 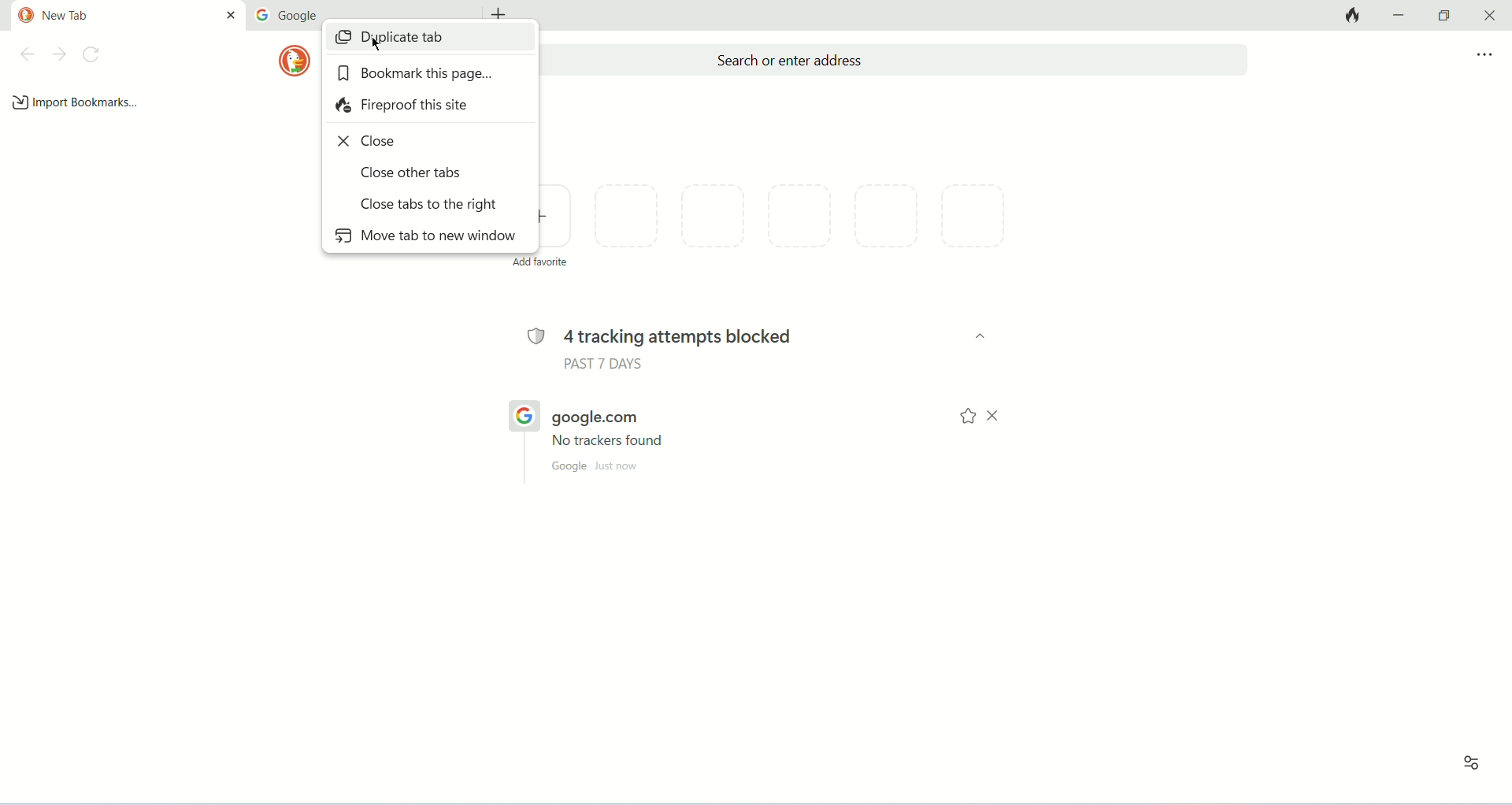 What do you see at coordinates (617, 466) in the screenshot?
I see `just now` at bounding box center [617, 466].